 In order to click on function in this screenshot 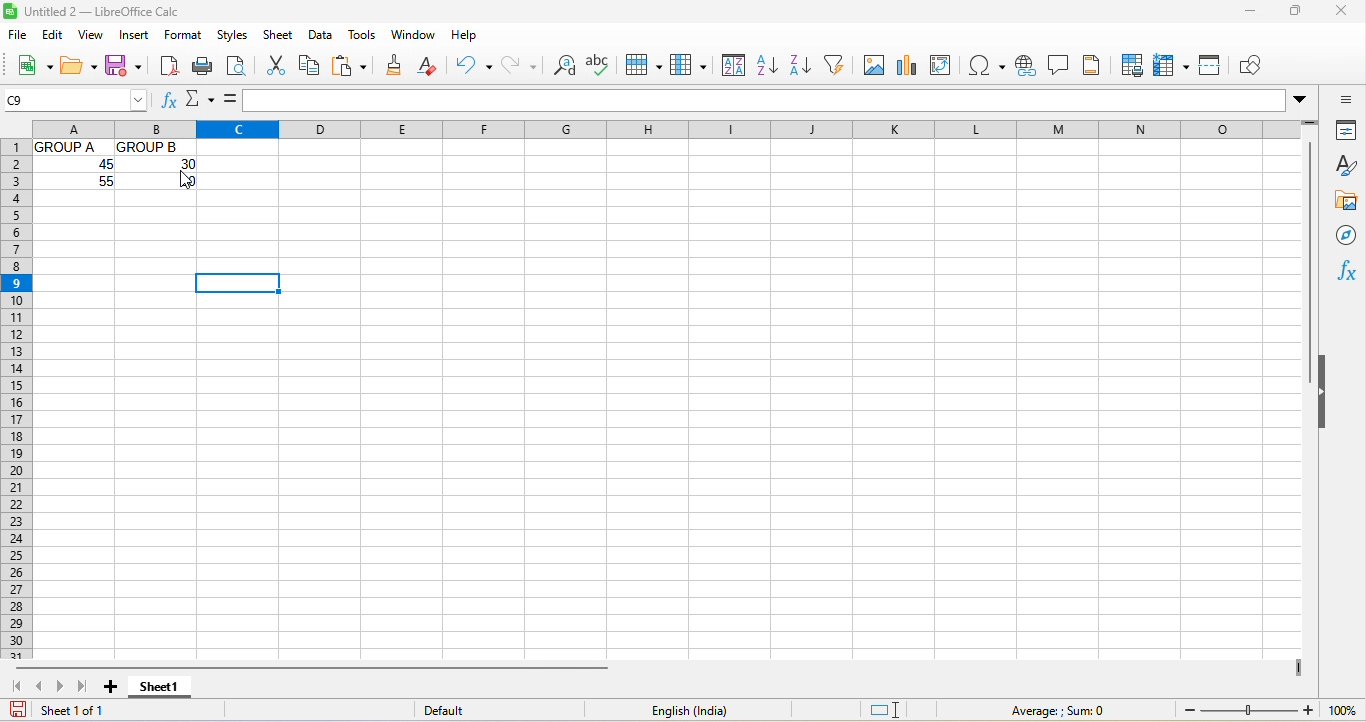, I will do `click(1345, 273)`.